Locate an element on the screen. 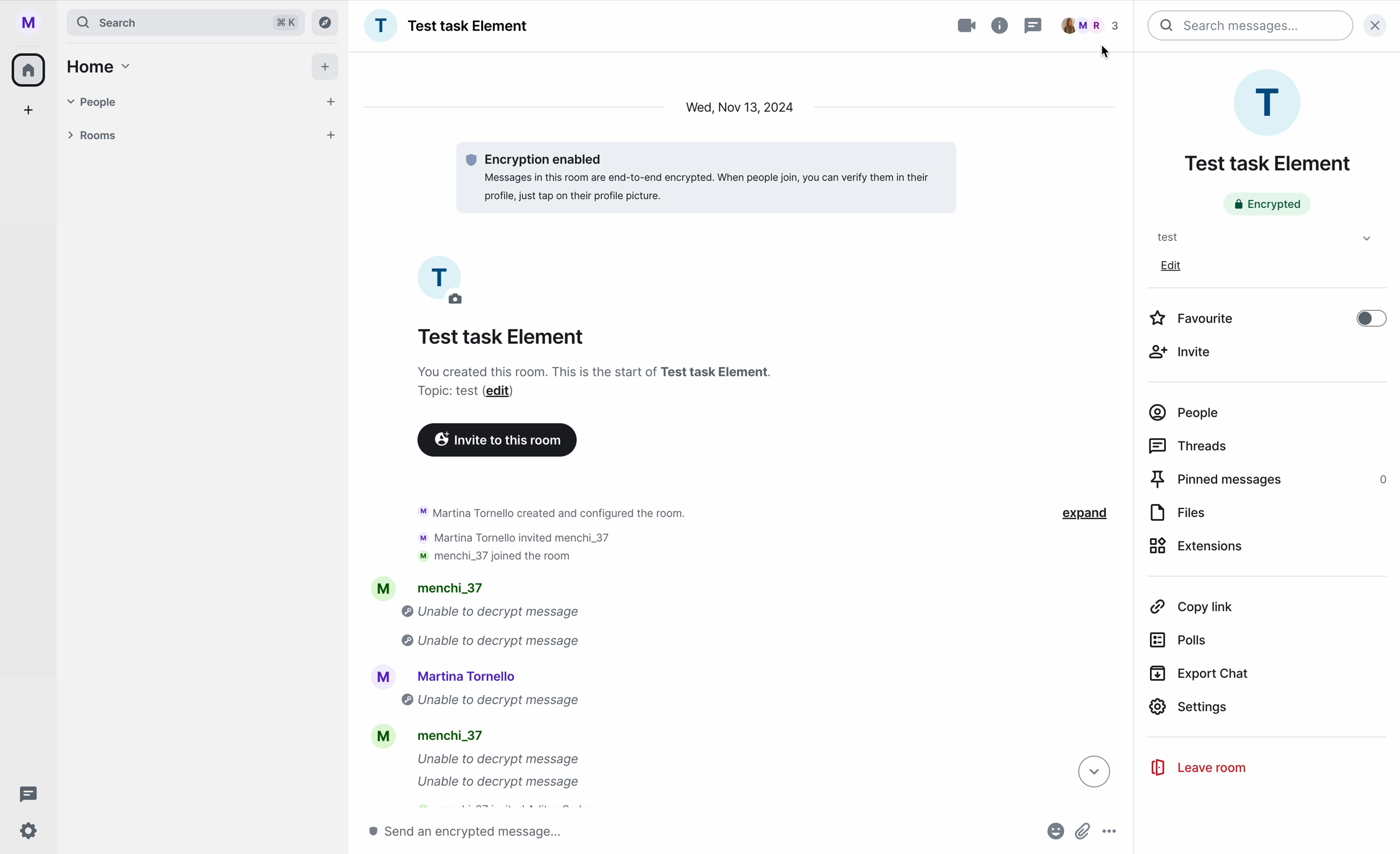 Image resolution: width=1400 pixels, height=854 pixels. invite is located at coordinates (1186, 351).